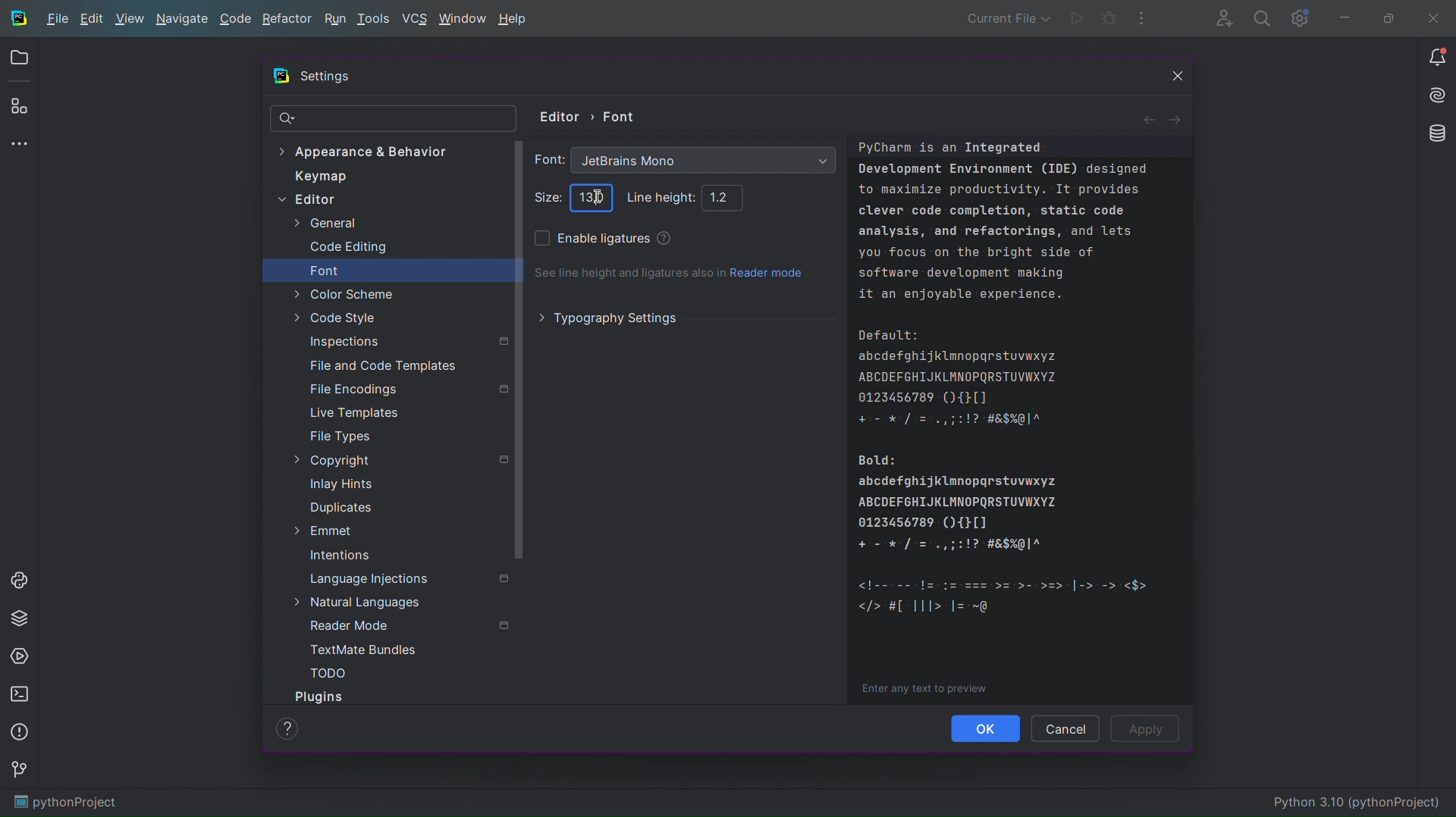  I want to click on pythonProject, so click(65, 803).